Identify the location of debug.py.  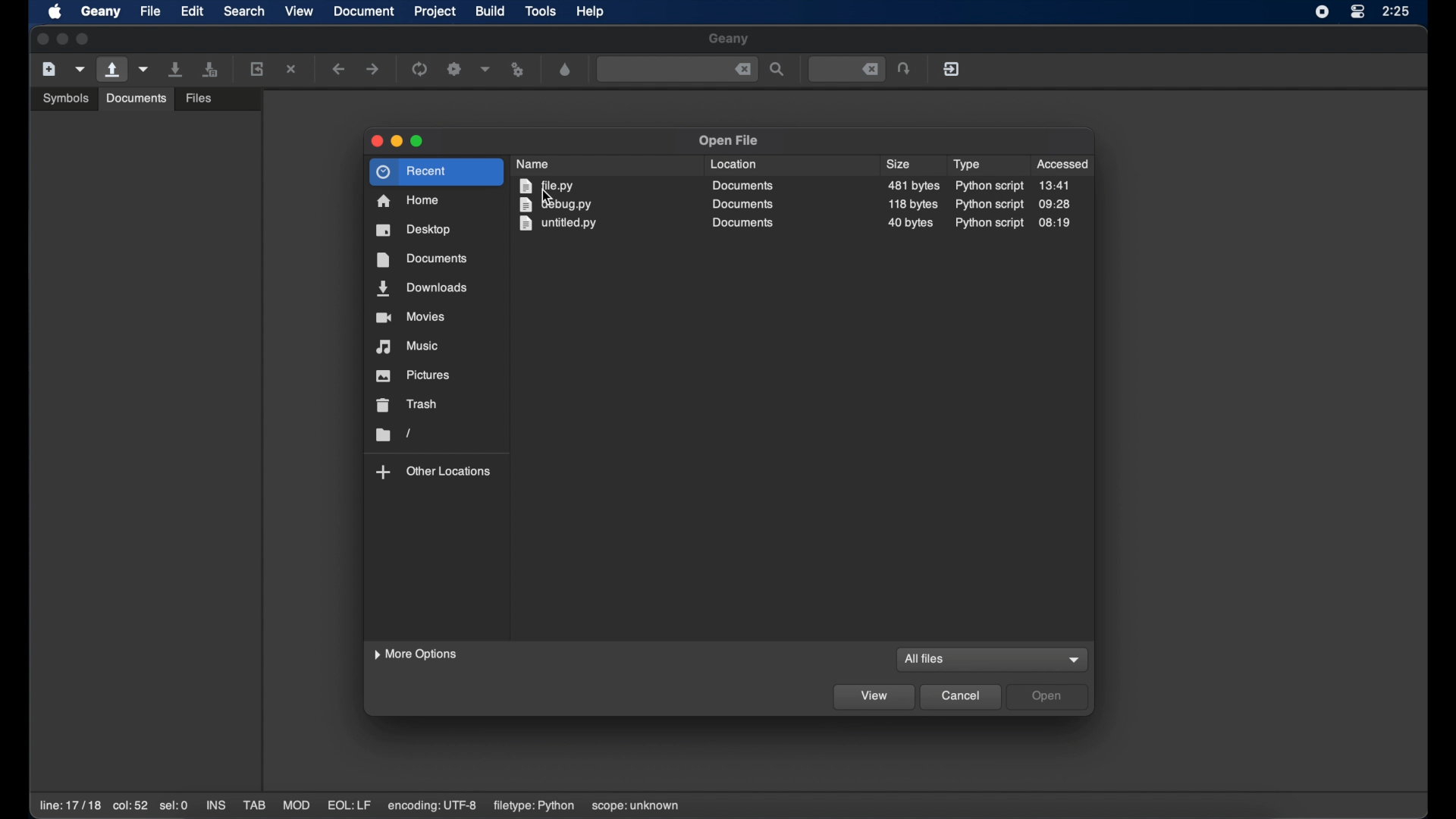
(554, 204).